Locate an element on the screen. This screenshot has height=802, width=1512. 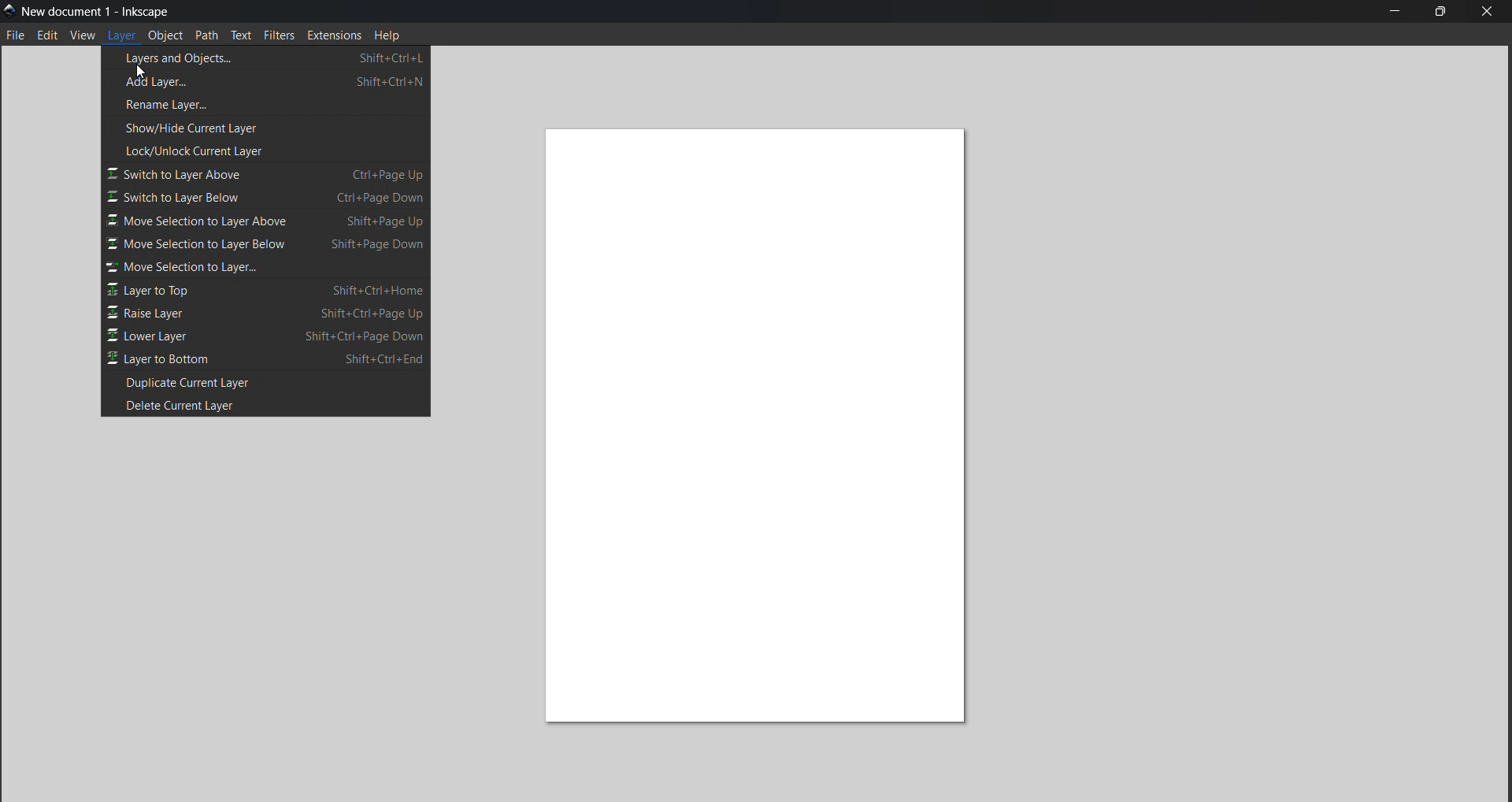
switch to layer above is located at coordinates (265, 174).